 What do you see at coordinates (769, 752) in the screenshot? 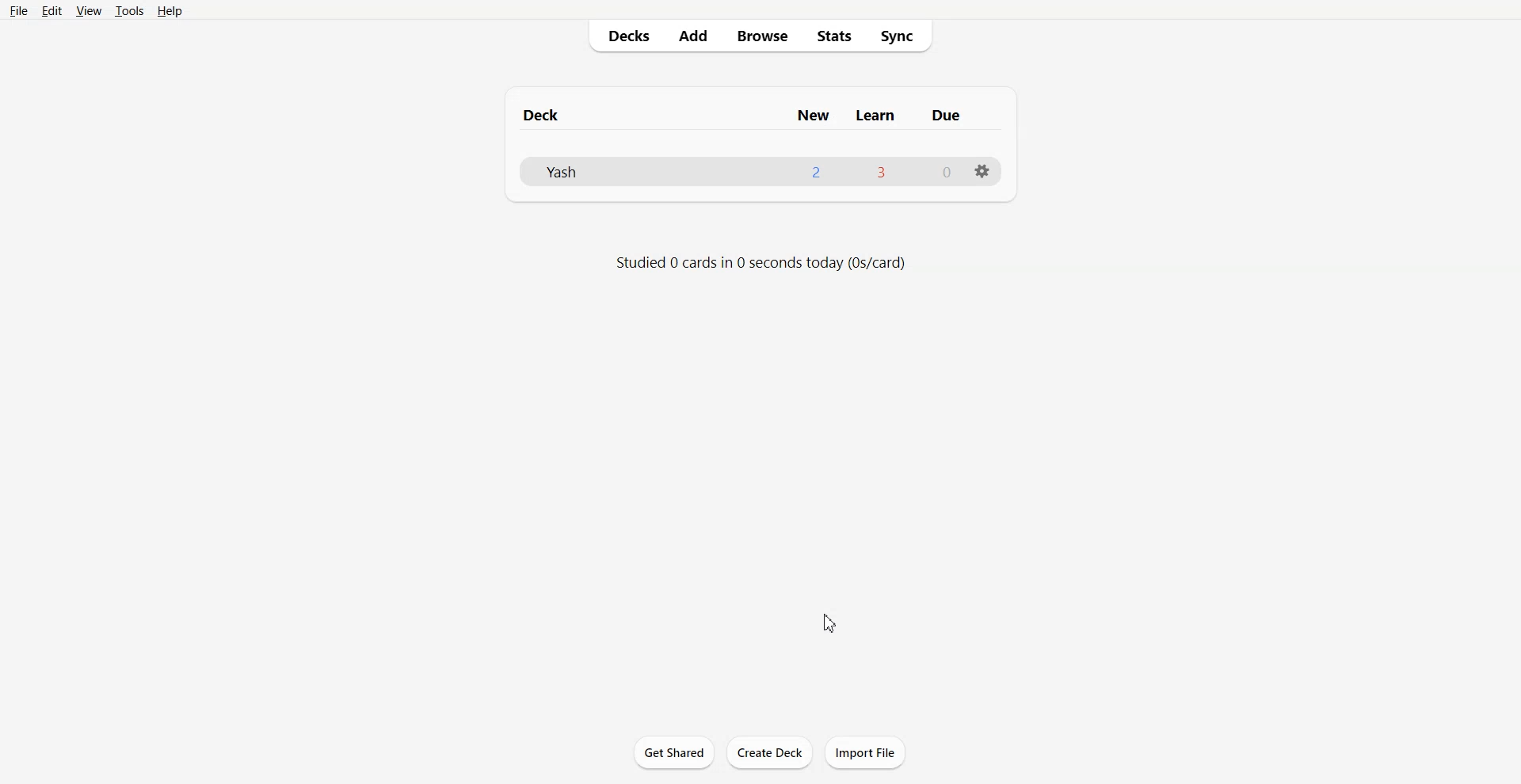
I see `Create Deck` at bounding box center [769, 752].